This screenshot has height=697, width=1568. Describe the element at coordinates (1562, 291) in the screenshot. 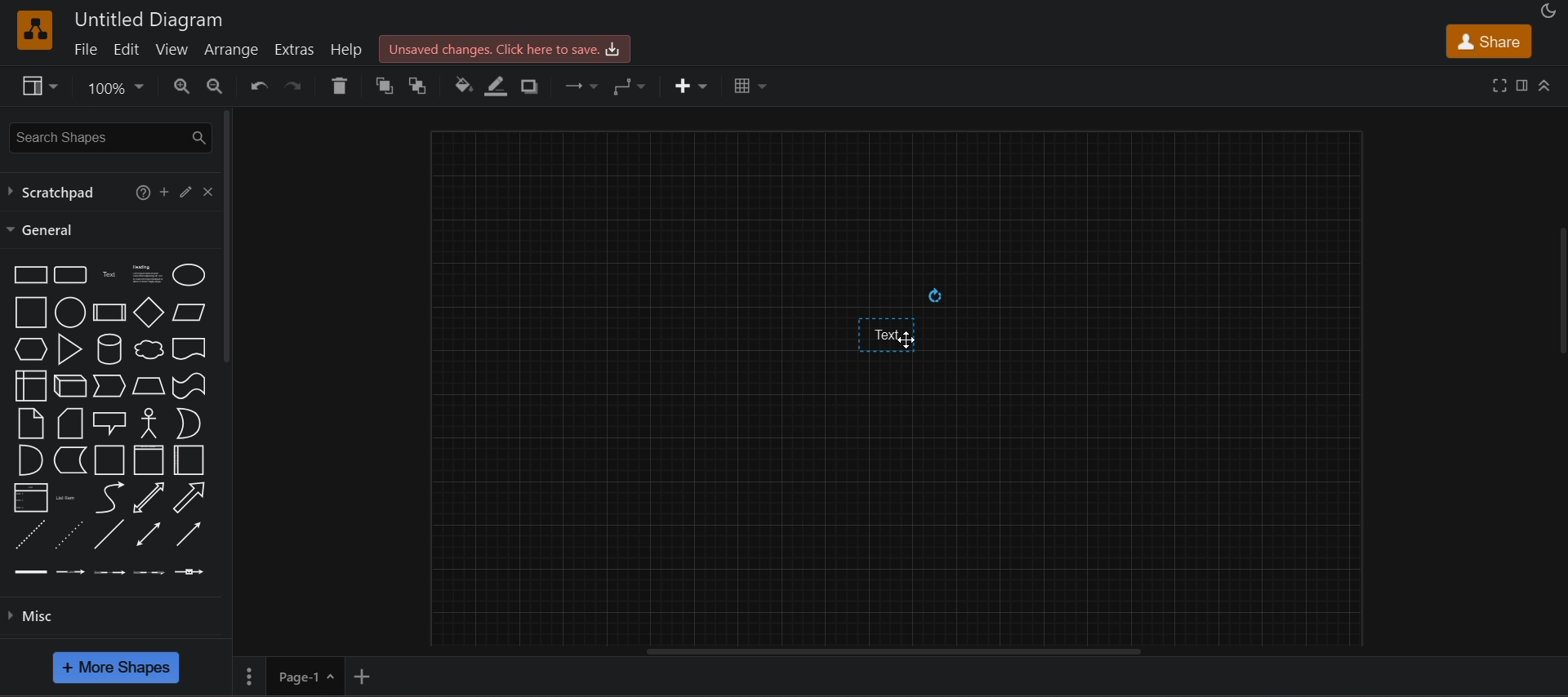

I see `Vertical slide bar` at that location.